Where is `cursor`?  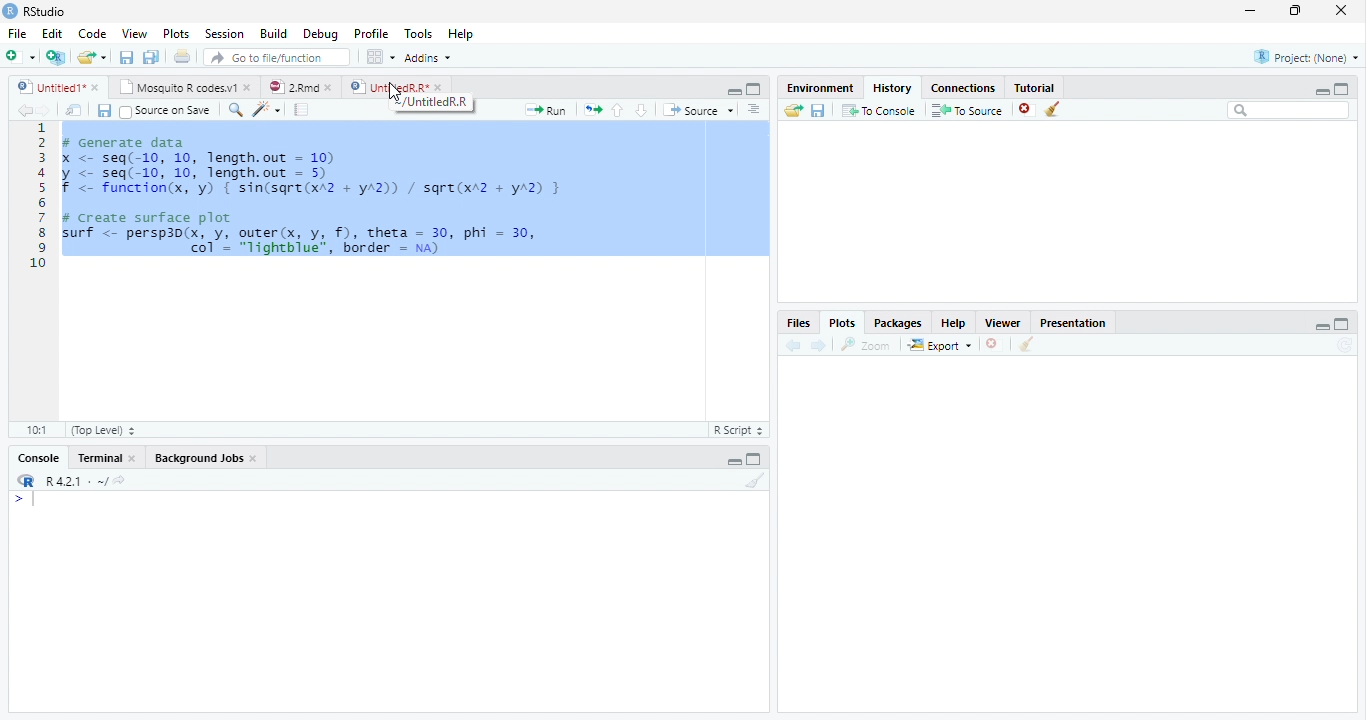
cursor is located at coordinates (395, 92).